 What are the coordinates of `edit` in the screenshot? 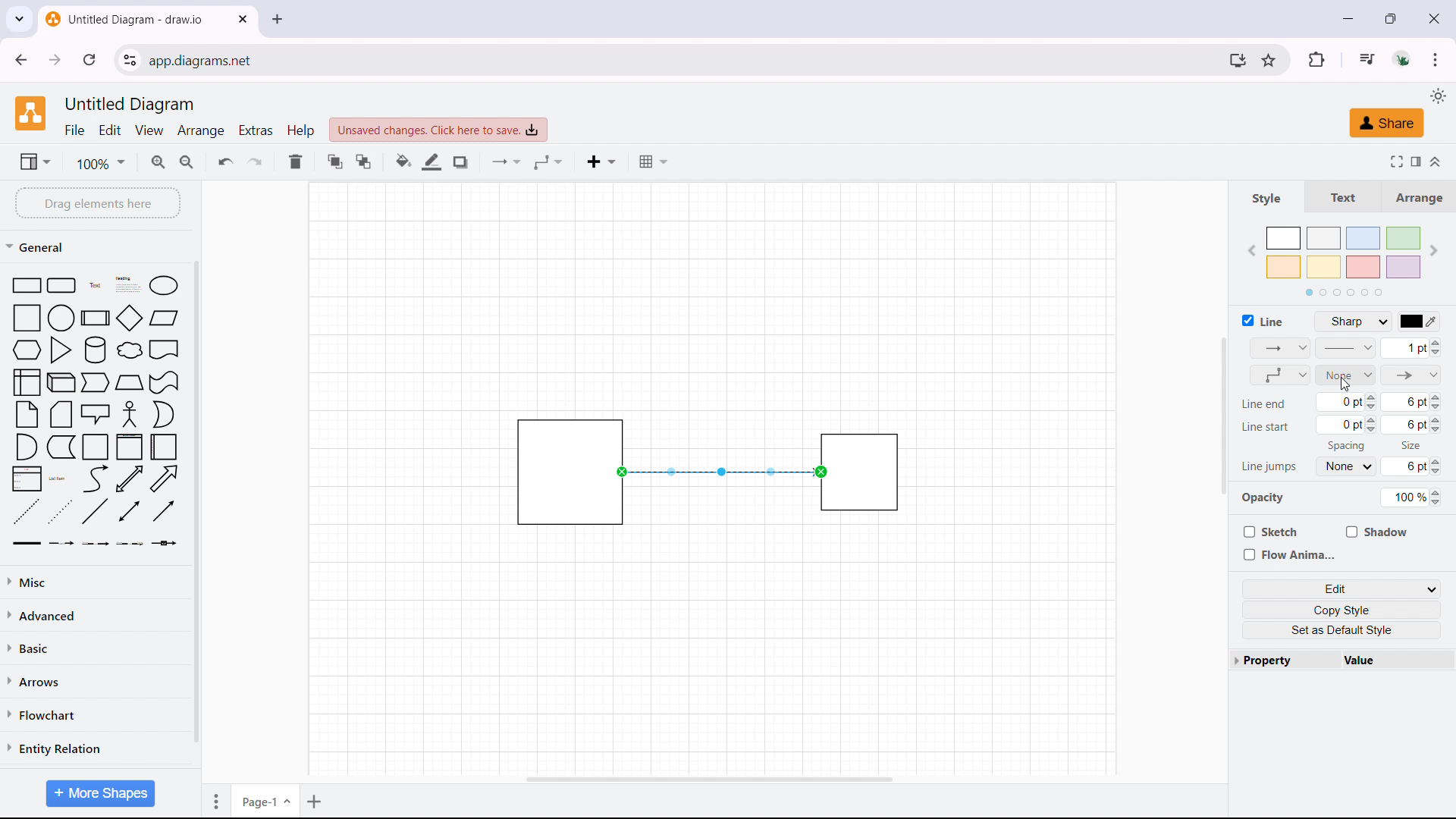 It's located at (1342, 588).